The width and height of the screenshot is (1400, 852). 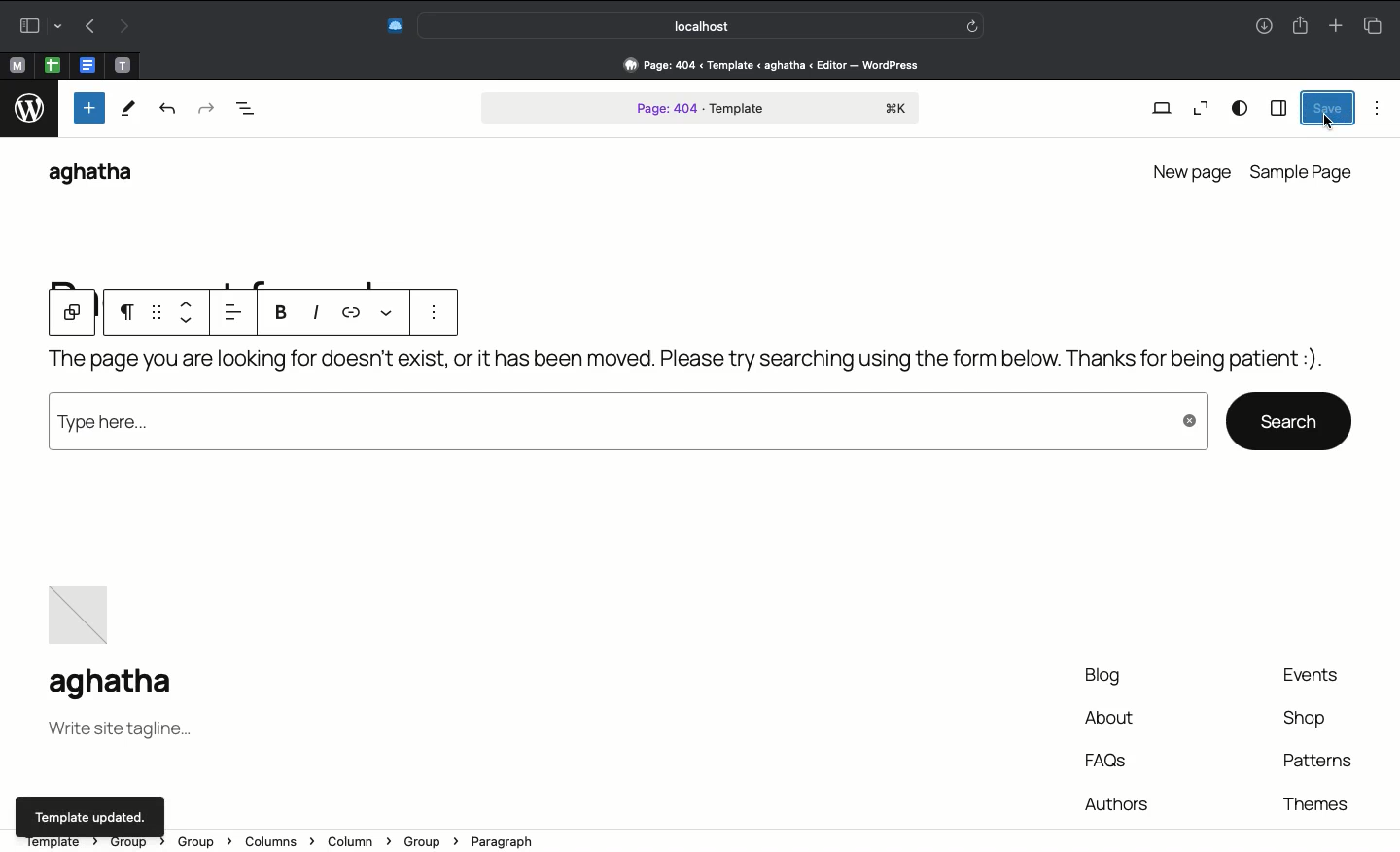 I want to click on Address, so click(x=761, y=65).